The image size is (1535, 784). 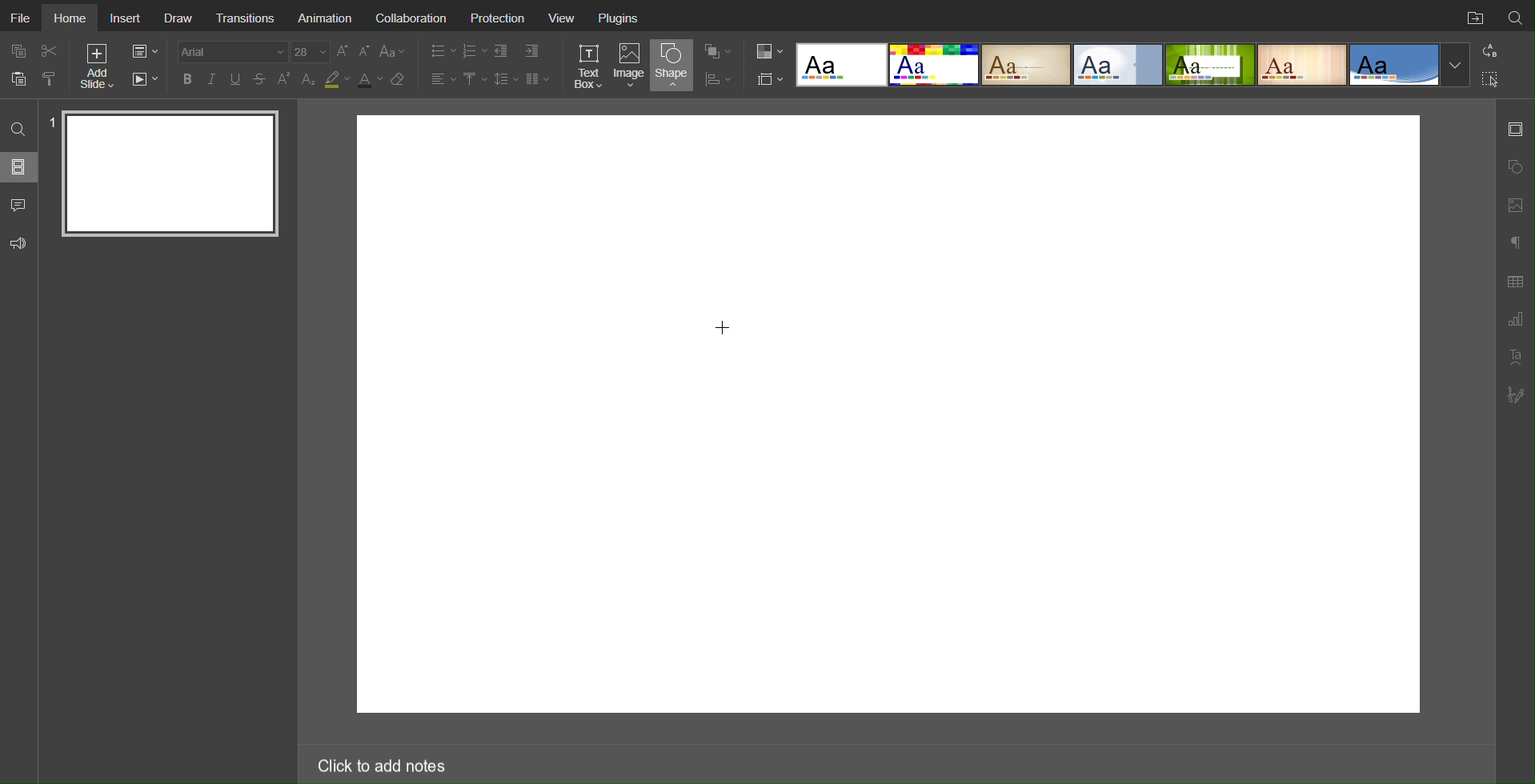 I want to click on Line Spacing, so click(x=506, y=78).